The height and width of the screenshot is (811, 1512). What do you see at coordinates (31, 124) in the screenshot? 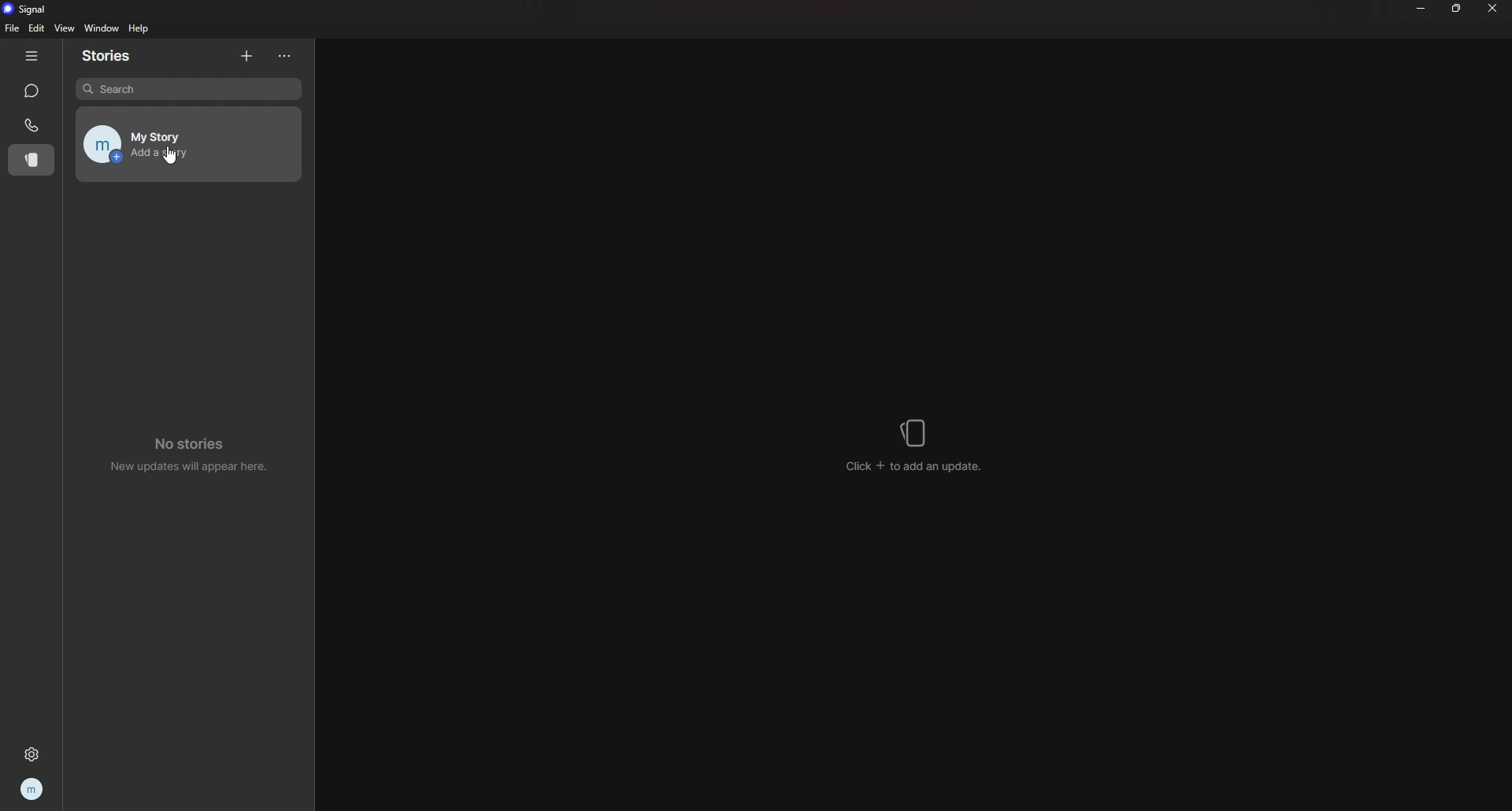
I see `calls` at bounding box center [31, 124].